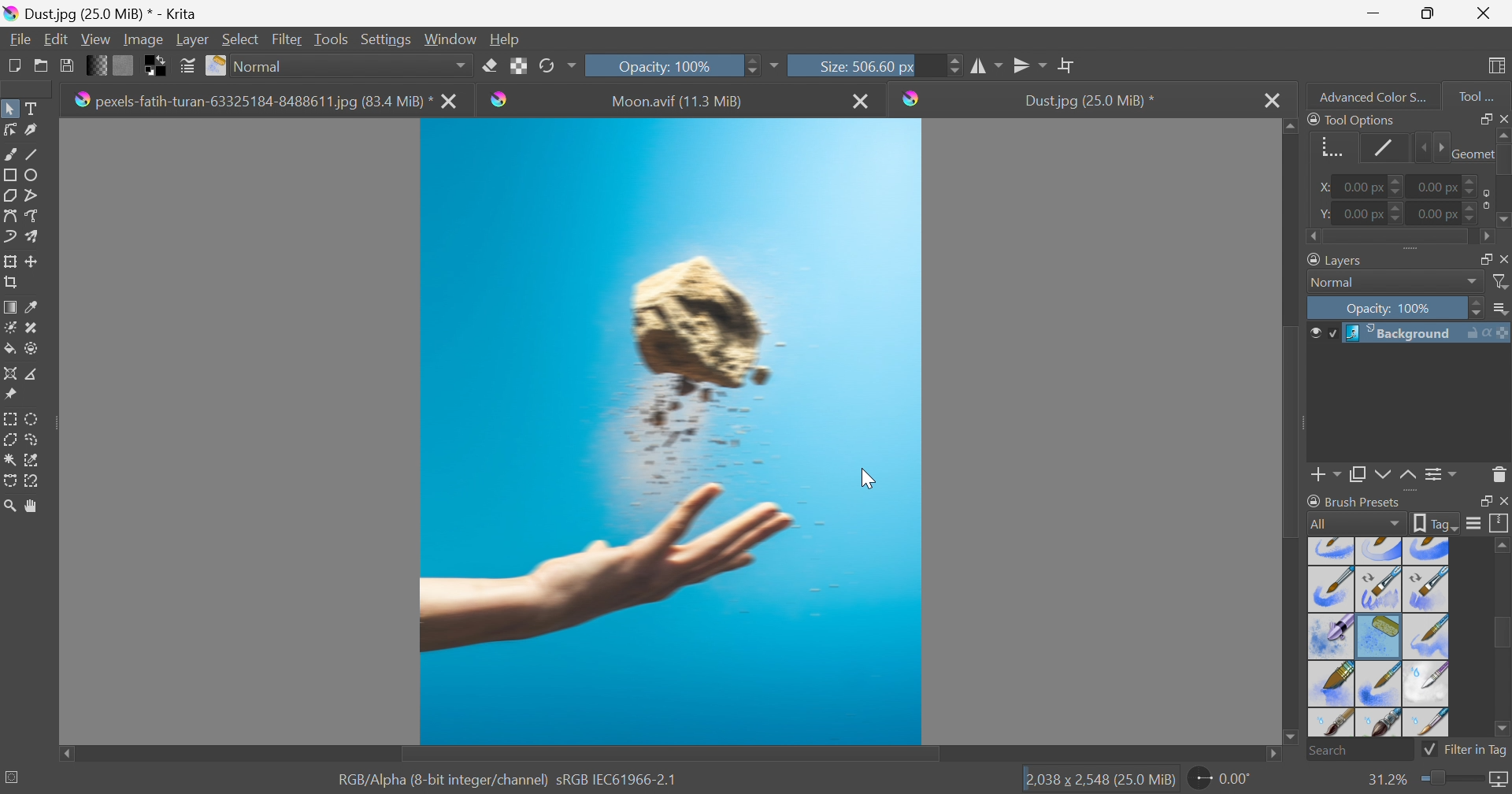 Image resolution: width=1512 pixels, height=794 pixels. Describe the element at coordinates (500, 99) in the screenshot. I see `krita logo` at that location.